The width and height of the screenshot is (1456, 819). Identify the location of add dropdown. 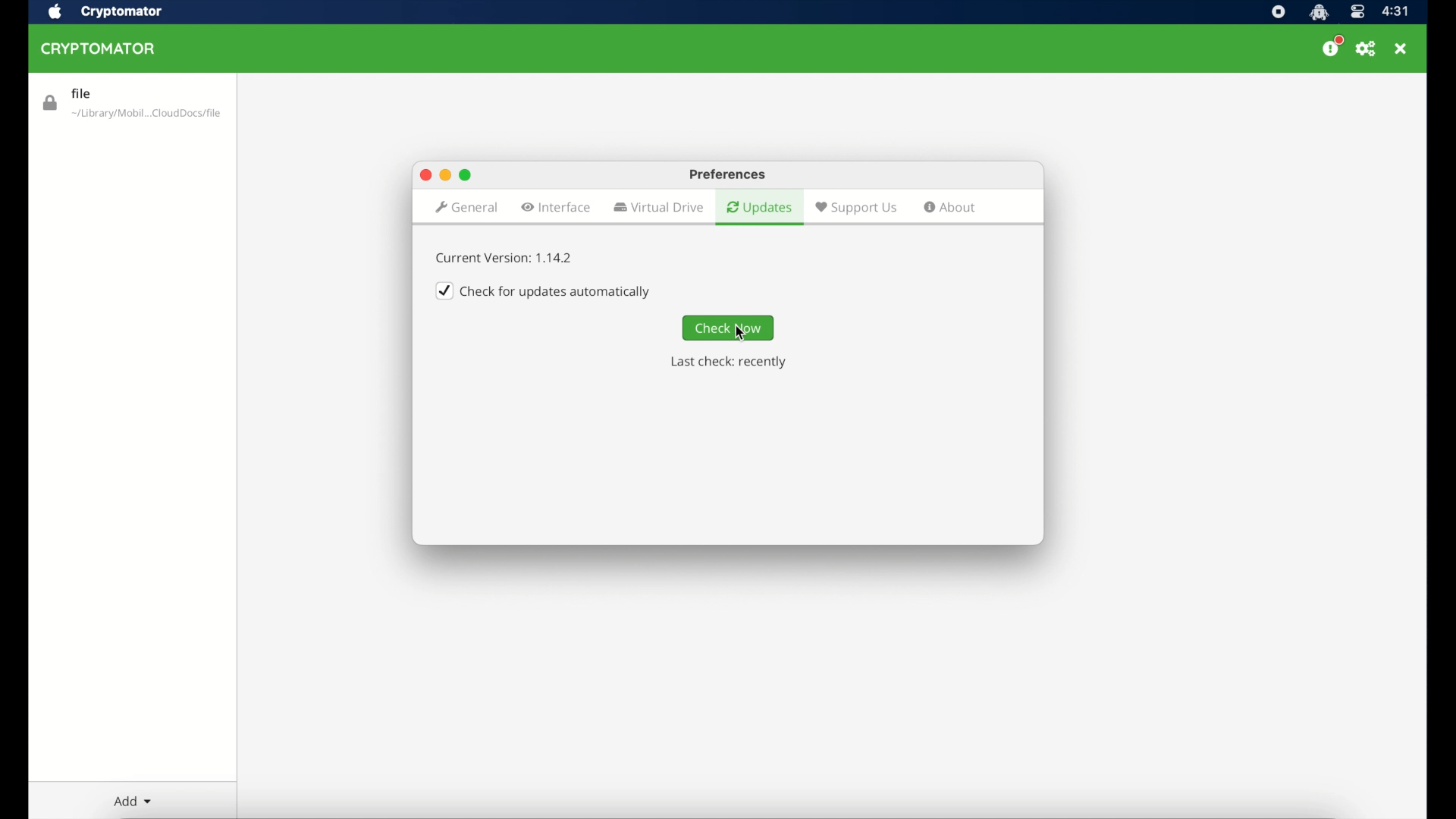
(133, 802).